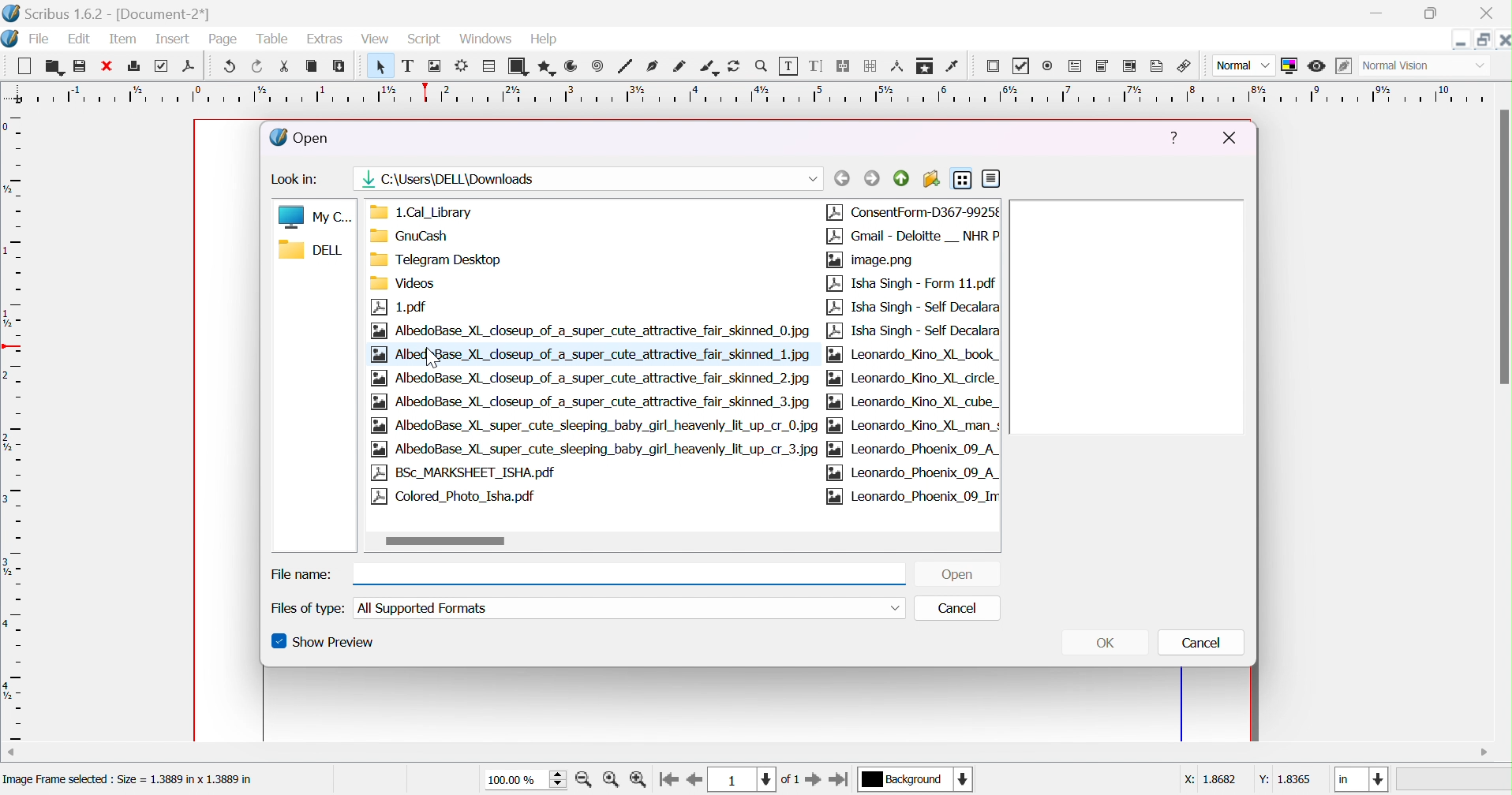 Image resolution: width=1512 pixels, height=795 pixels. What do you see at coordinates (133, 65) in the screenshot?
I see `print` at bounding box center [133, 65].